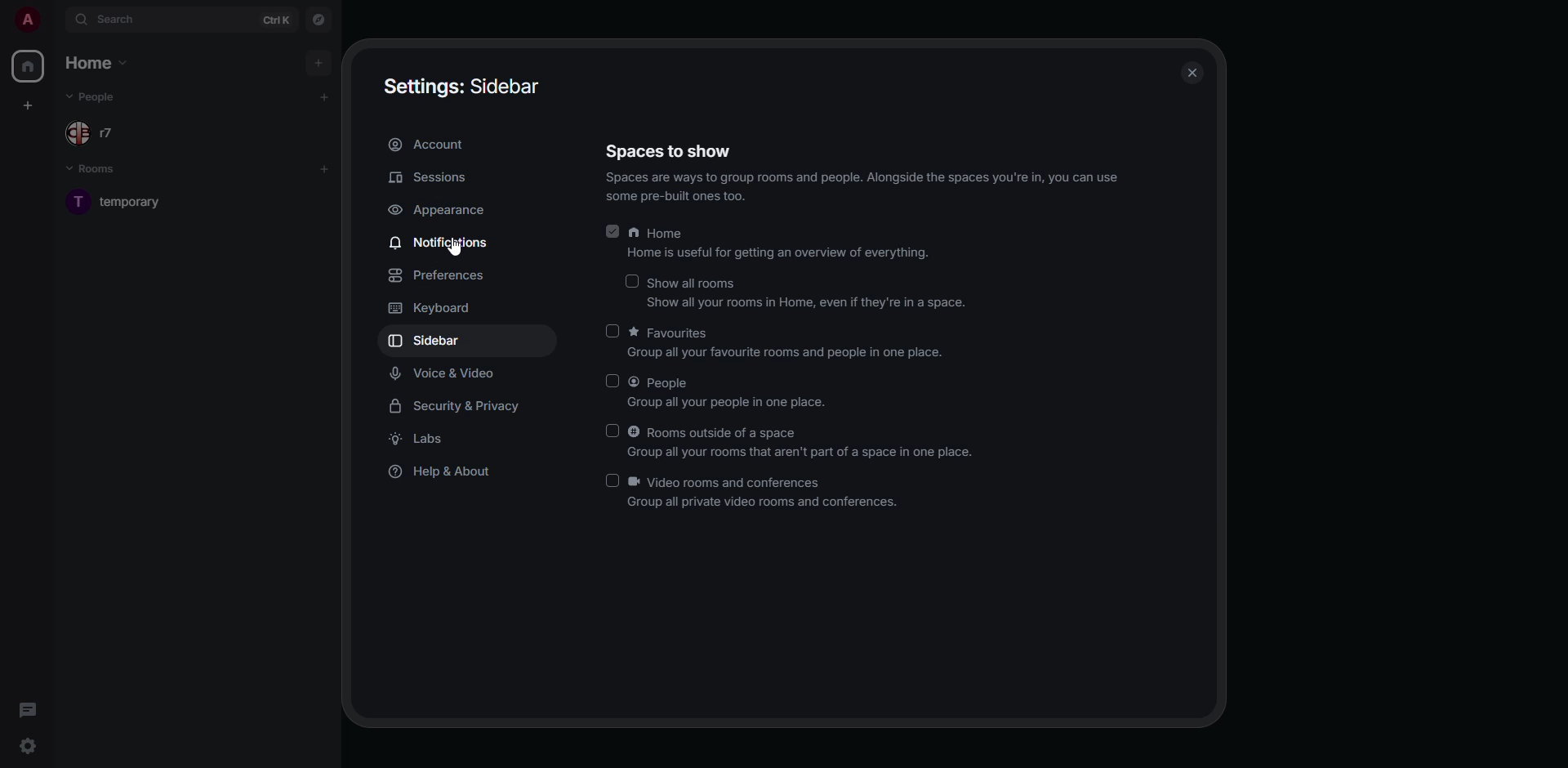 The width and height of the screenshot is (1568, 768). I want to click on home, so click(777, 243).